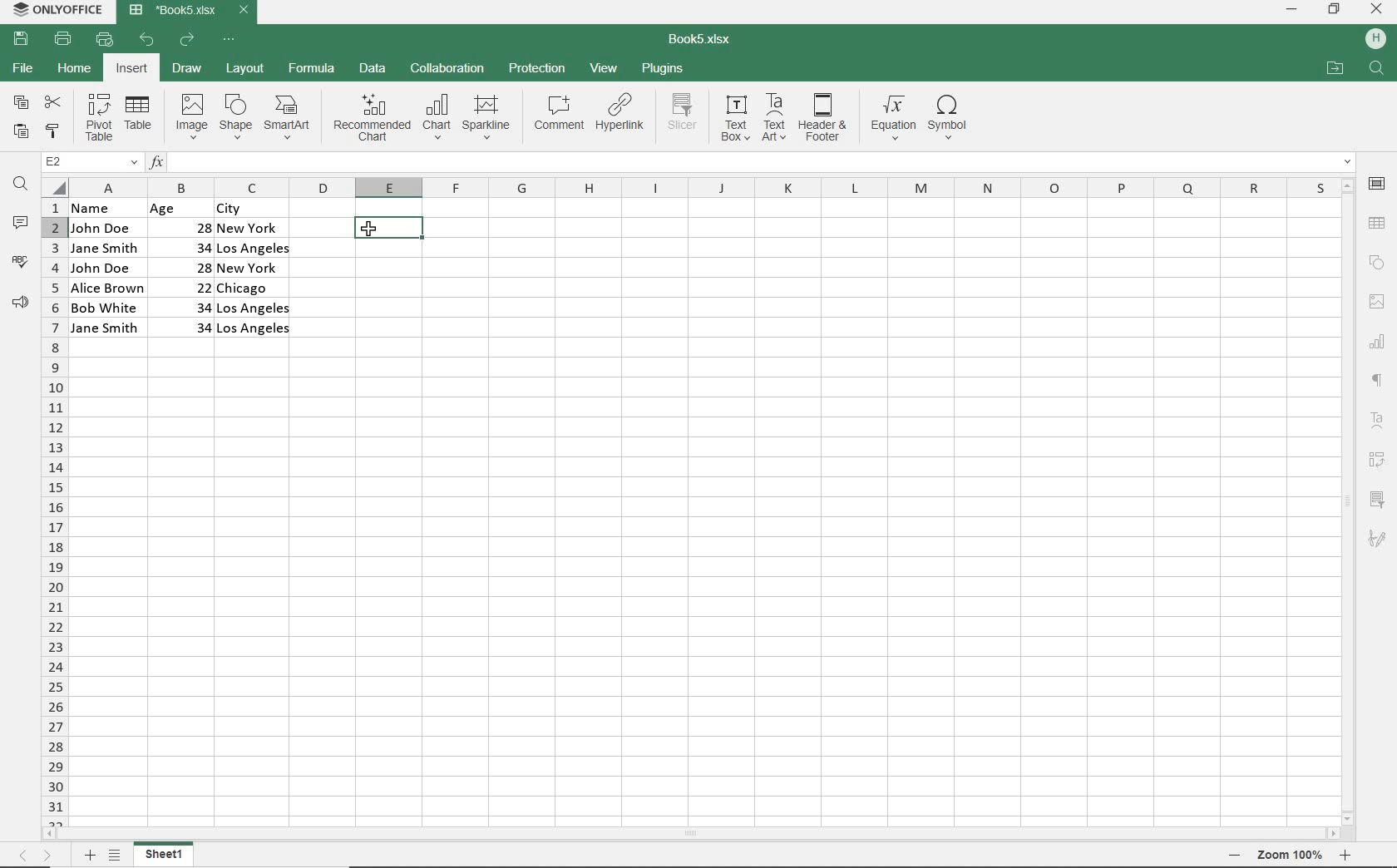 The height and width of the screenshot is (868, 1397). Describe the element at coordinates (101, 208) in the screenshot. I see `Name` at that location.